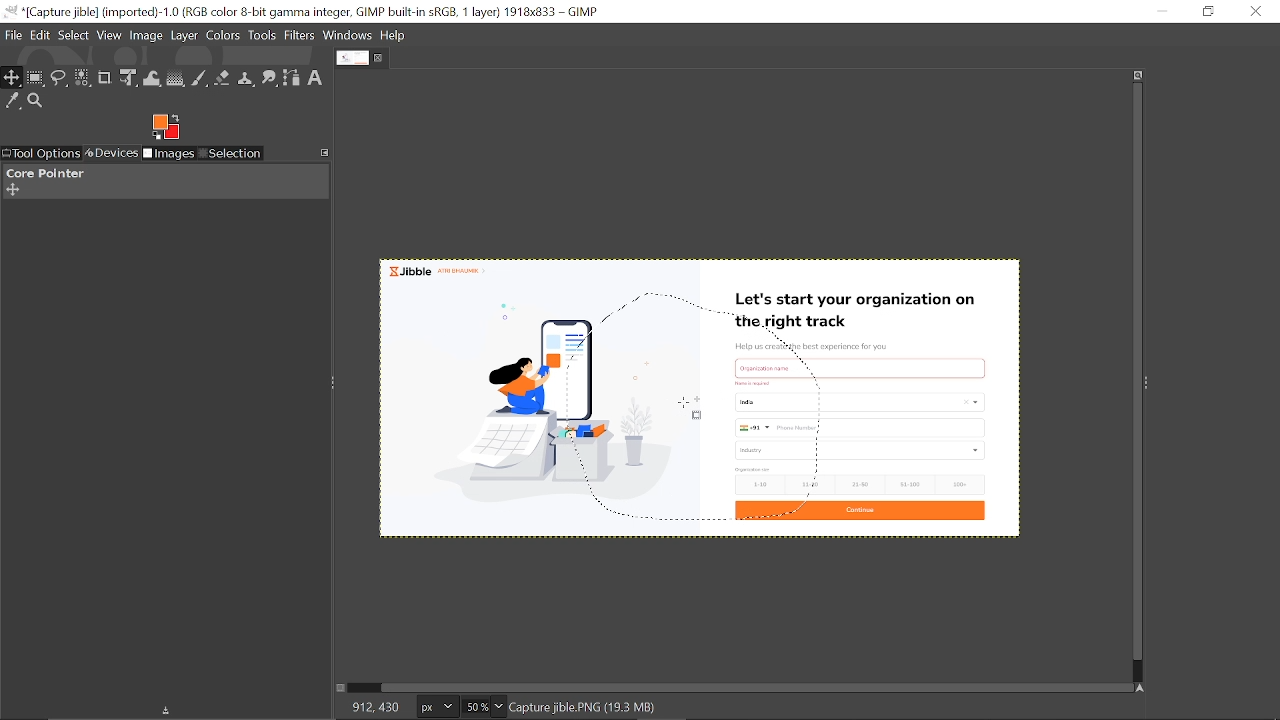 The width and height of the screenshot is (1280, 720). I want to click on Zoom options, so click(497, 707).